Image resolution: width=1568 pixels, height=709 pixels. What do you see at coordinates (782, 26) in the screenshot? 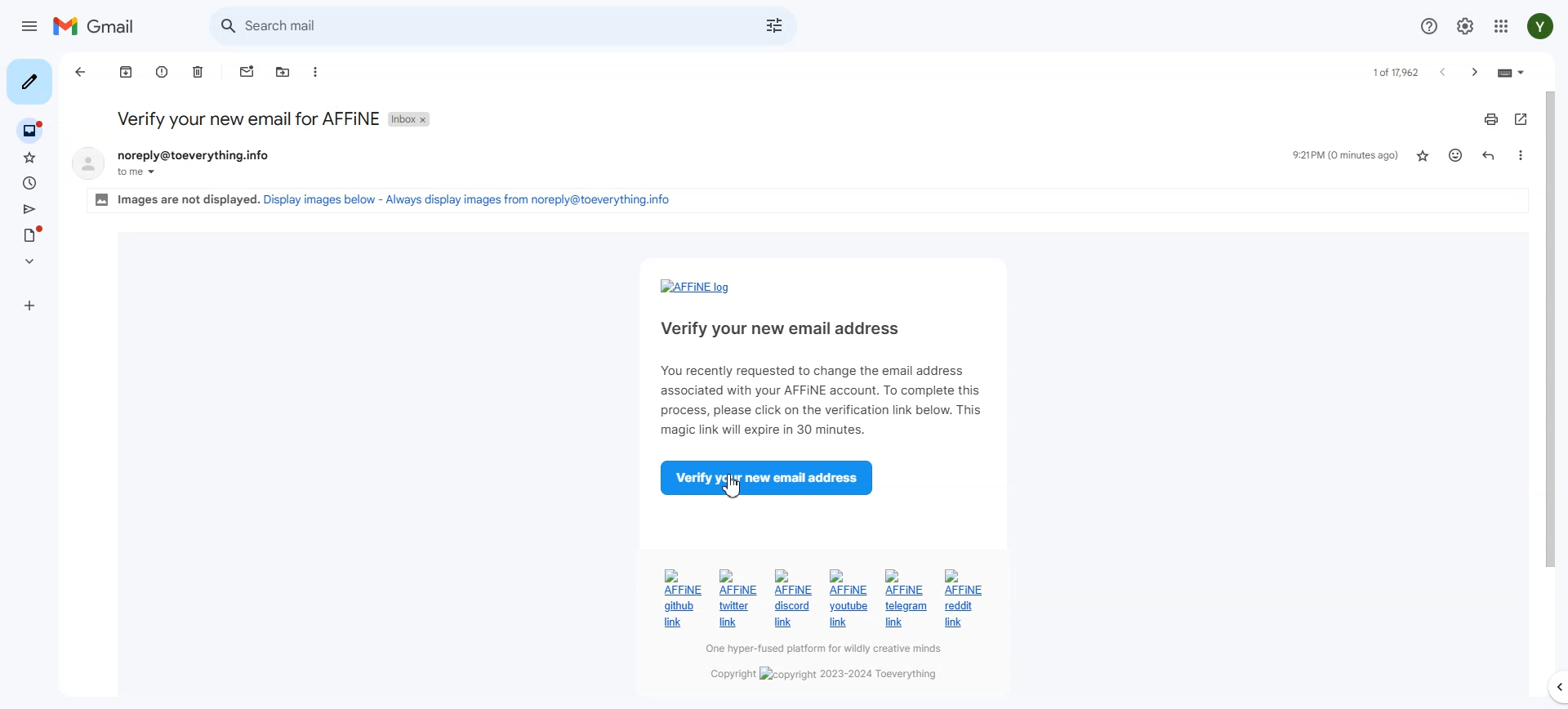
I see `Show search options` at bounding box center [782, 26].